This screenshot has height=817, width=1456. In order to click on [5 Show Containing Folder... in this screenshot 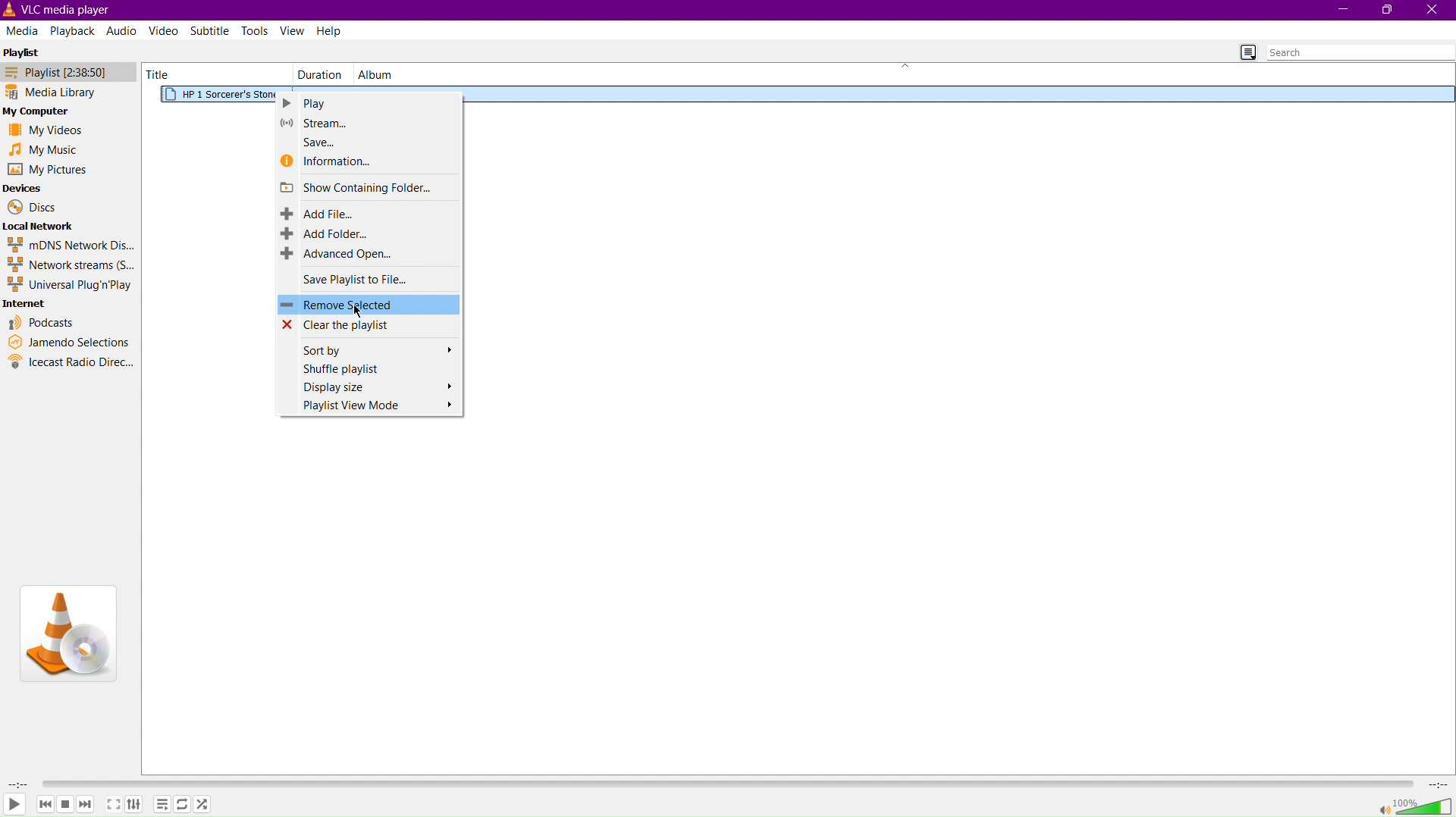, I will do `click(370, 186)`.